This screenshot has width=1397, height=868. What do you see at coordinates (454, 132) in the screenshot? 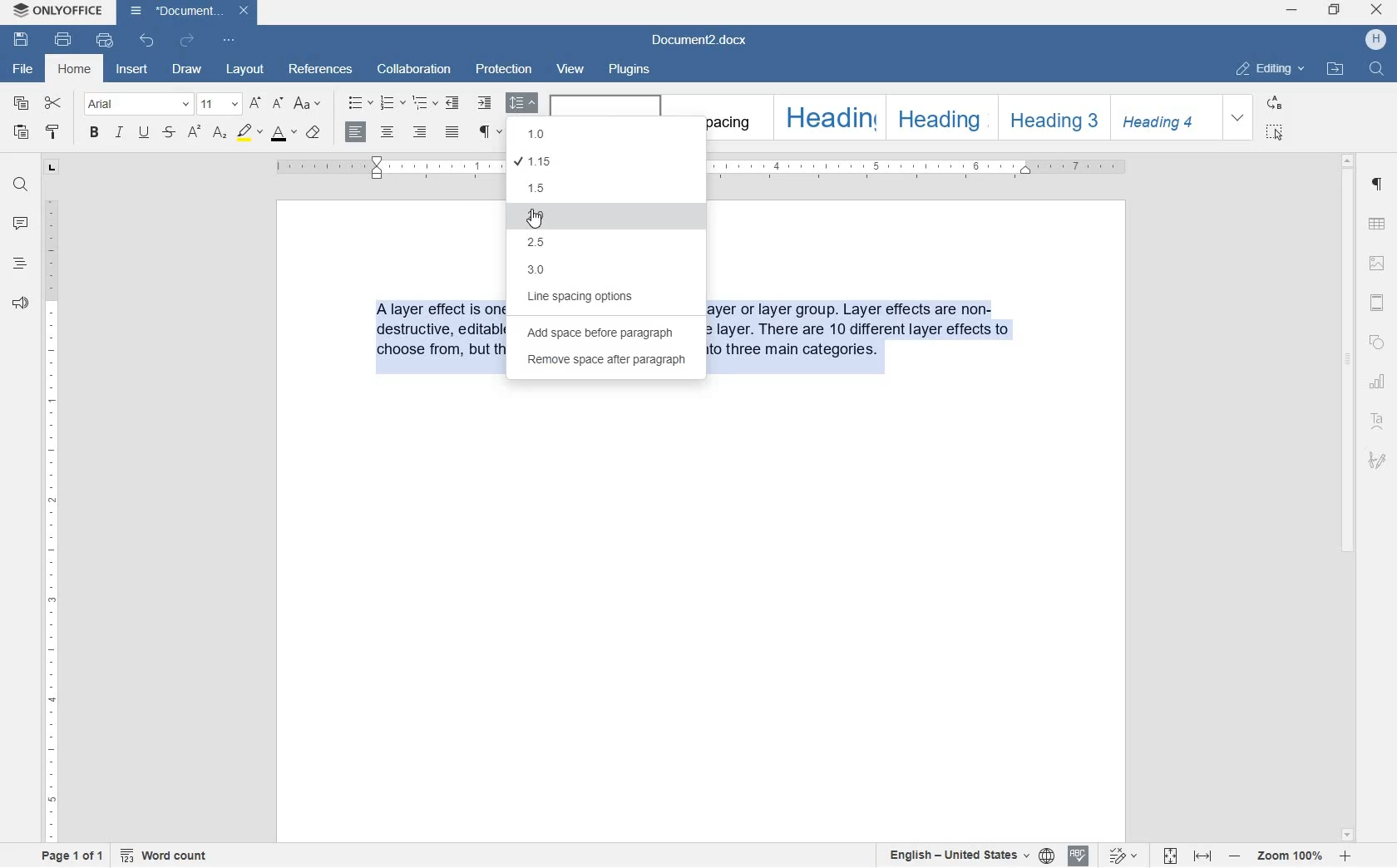
I see `justified` at bounding box center [454, 132].